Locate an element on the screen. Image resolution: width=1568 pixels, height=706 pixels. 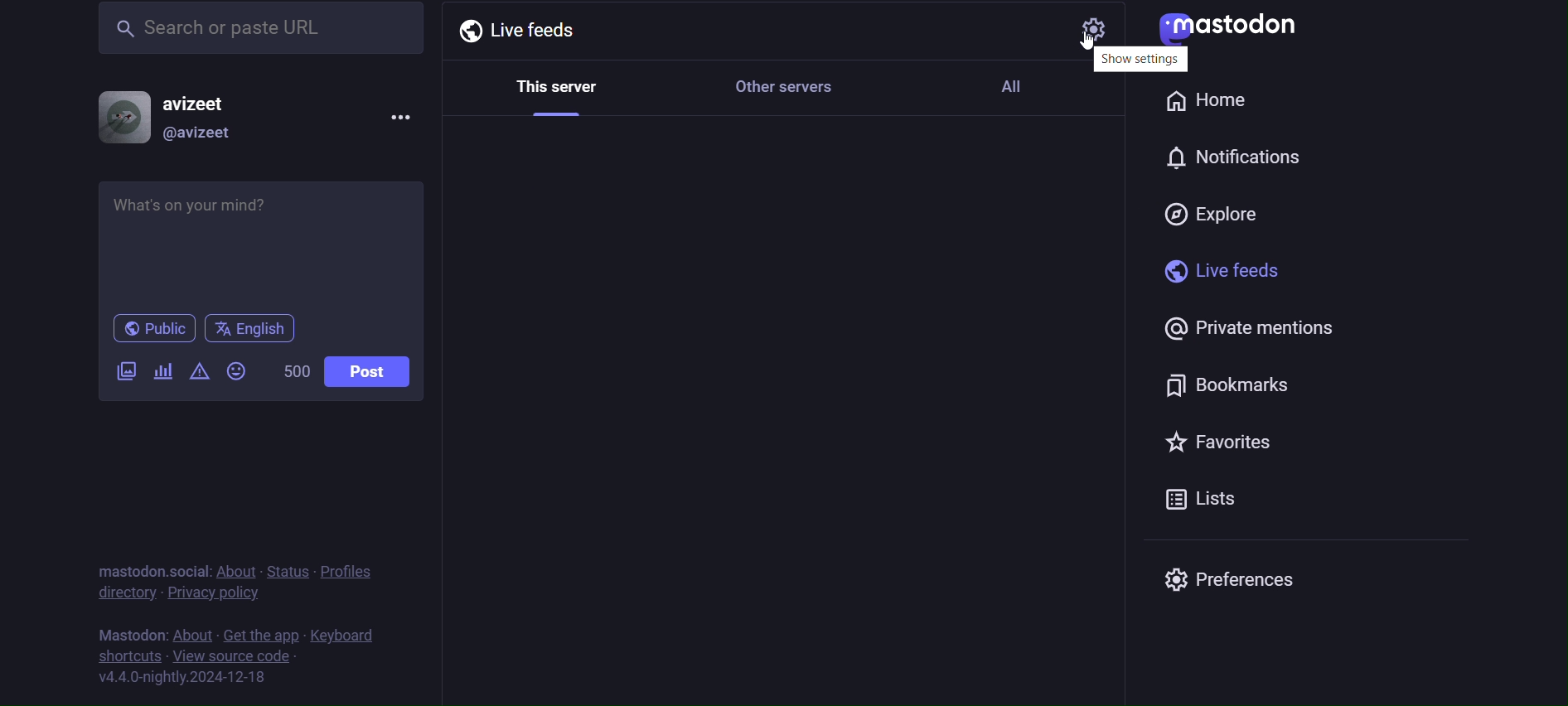
whats on your mind is located at coordinates (263, 239).